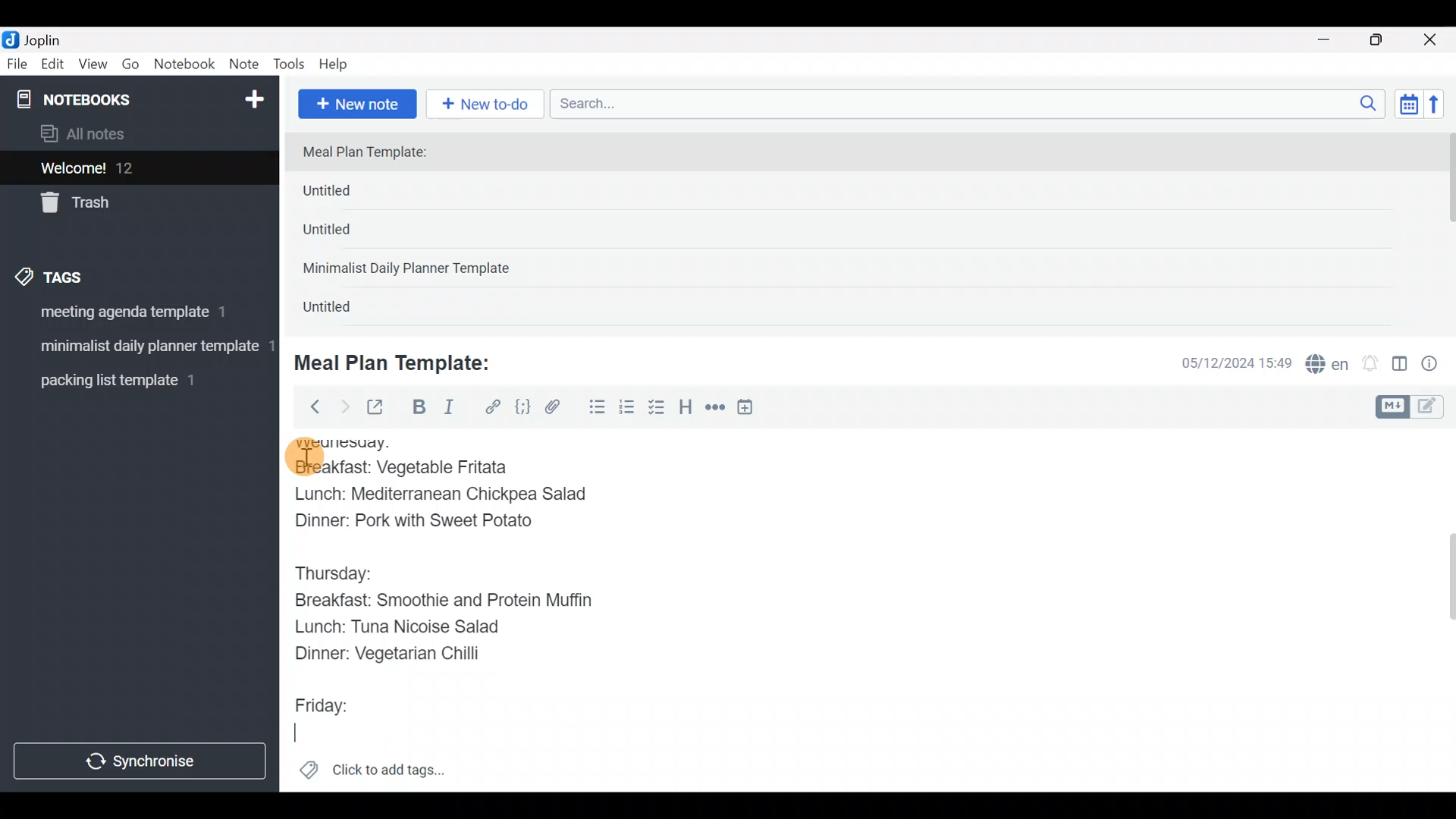 This screenshot has height=819, width=1456. What do you see at coordinates (1414, 405) in the screenshot?
I see `Toggle editors` at bounding box center [1414, 405].